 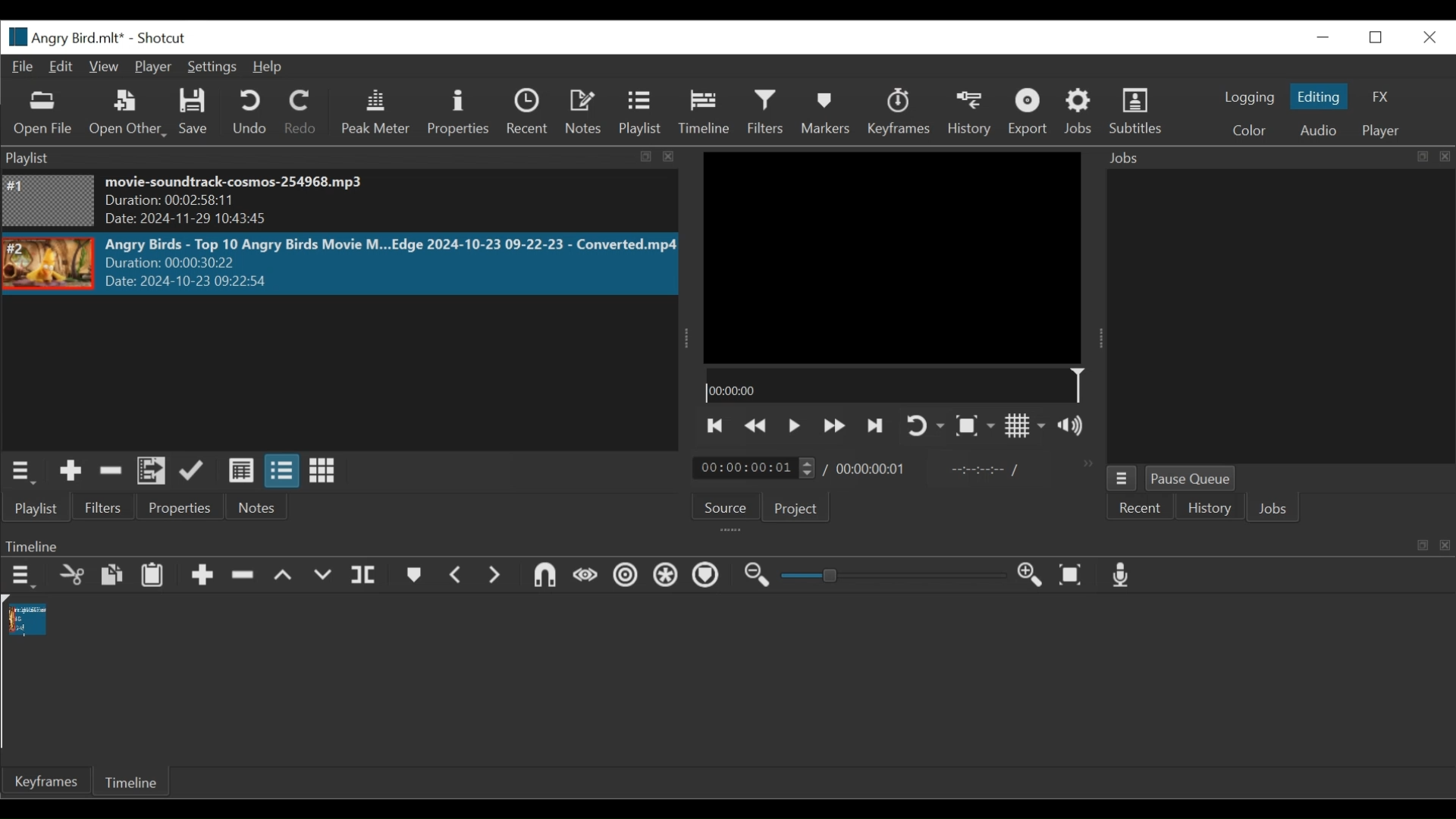 What do you see at coordinates (412, 576) in the screenshot?
I see `Markers` at bounding box center [412, 576].